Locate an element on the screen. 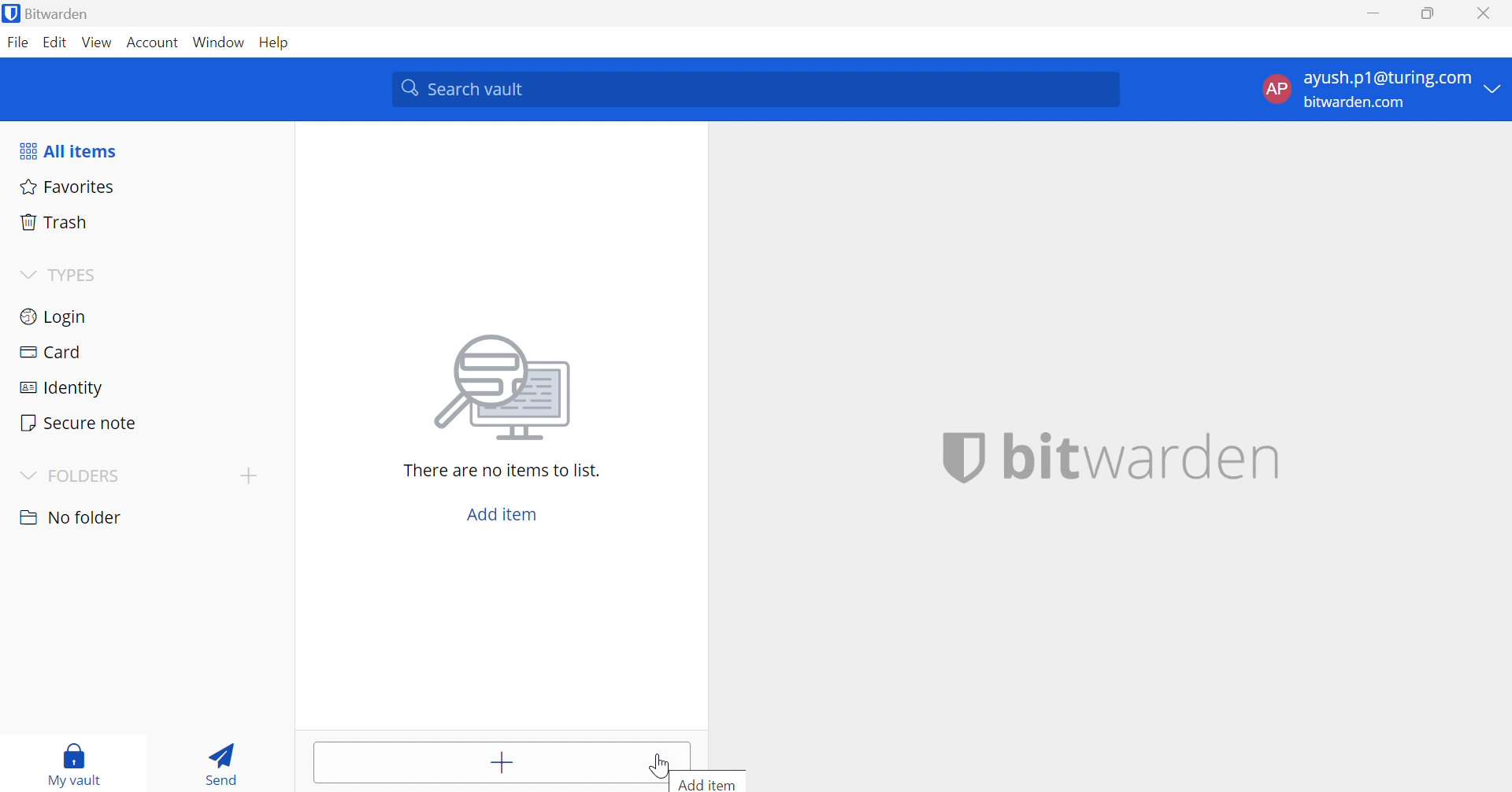 This screenshot has width=1512, height=792. There are no items to list. is located at coordinates (502, 470).